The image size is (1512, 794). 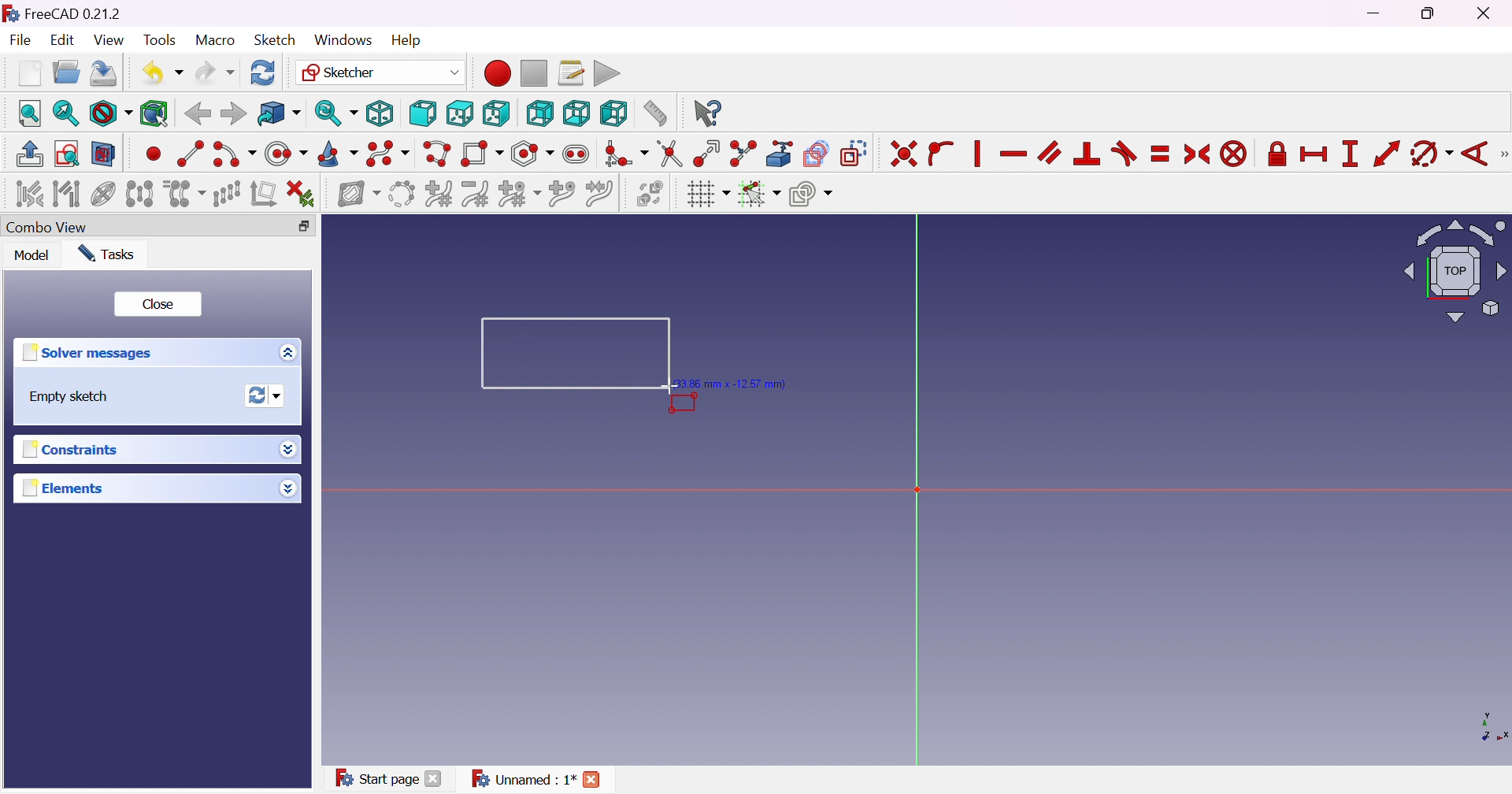 I want to click on Clone, so click(x=183, y=193).